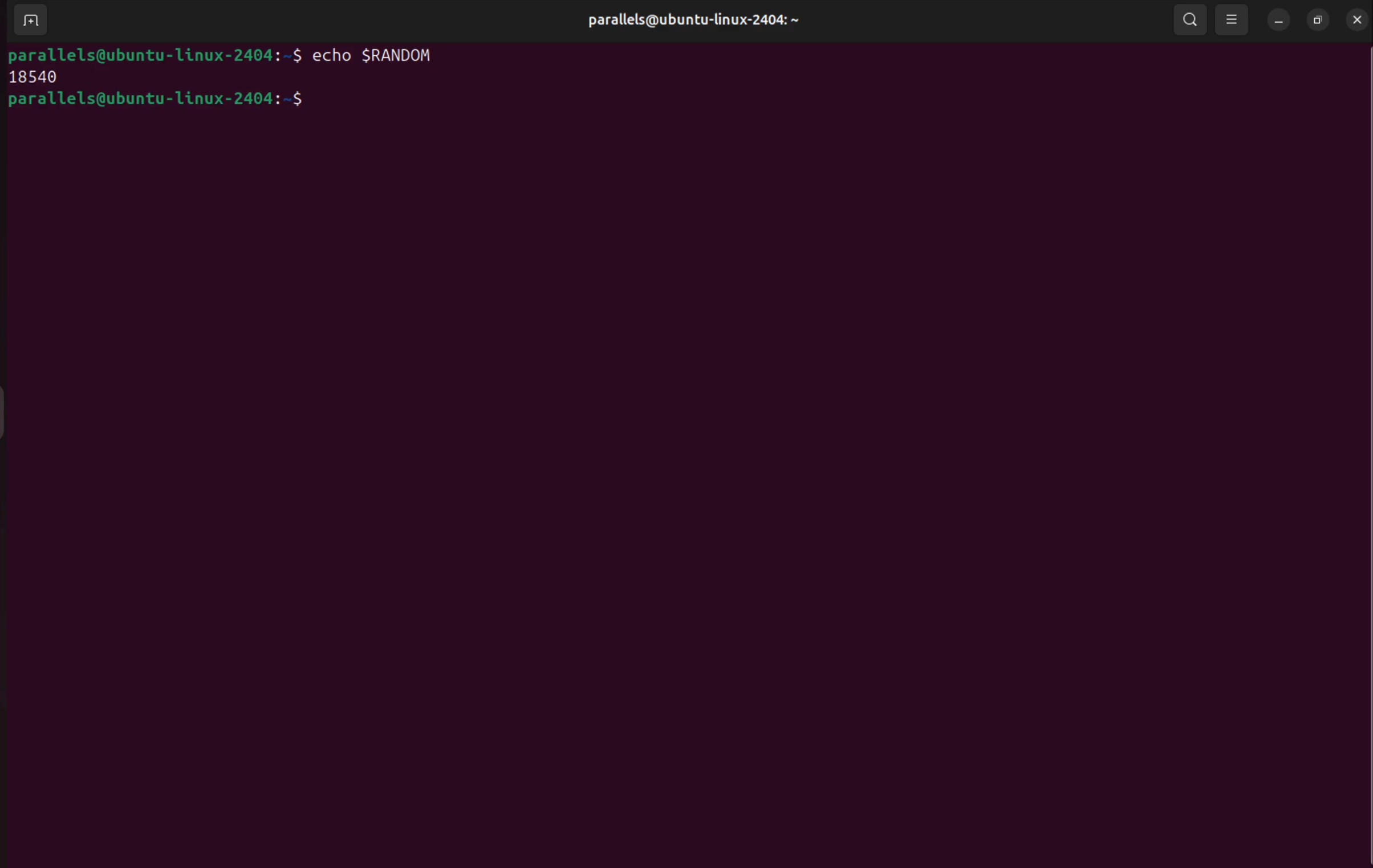  I want to click on bash prompt, so click(151, 52).